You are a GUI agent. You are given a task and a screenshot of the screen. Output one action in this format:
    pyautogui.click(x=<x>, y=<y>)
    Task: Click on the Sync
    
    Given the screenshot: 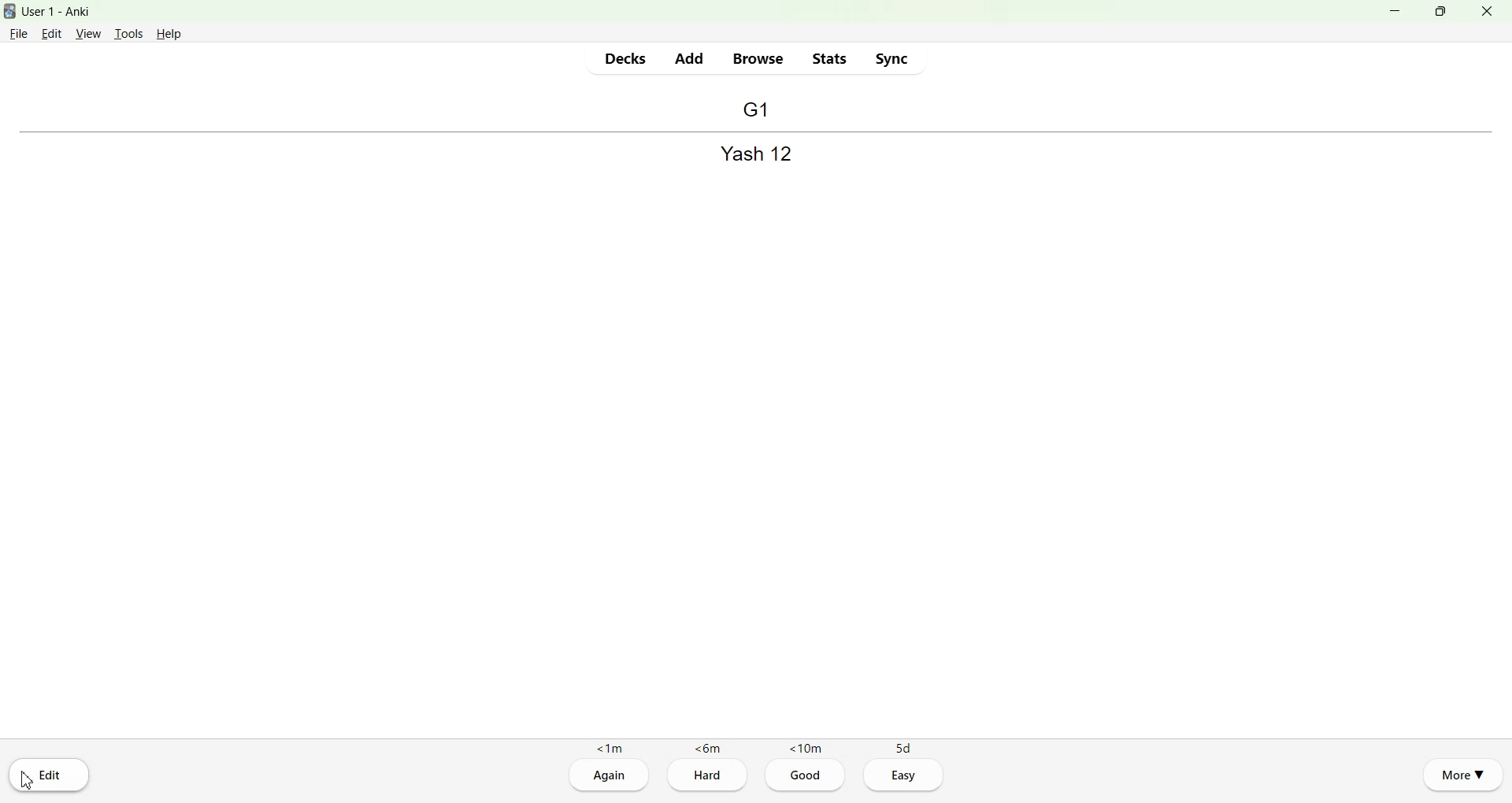 What is the action you would take?
    pyautogui.click(x=891, y=58)
    